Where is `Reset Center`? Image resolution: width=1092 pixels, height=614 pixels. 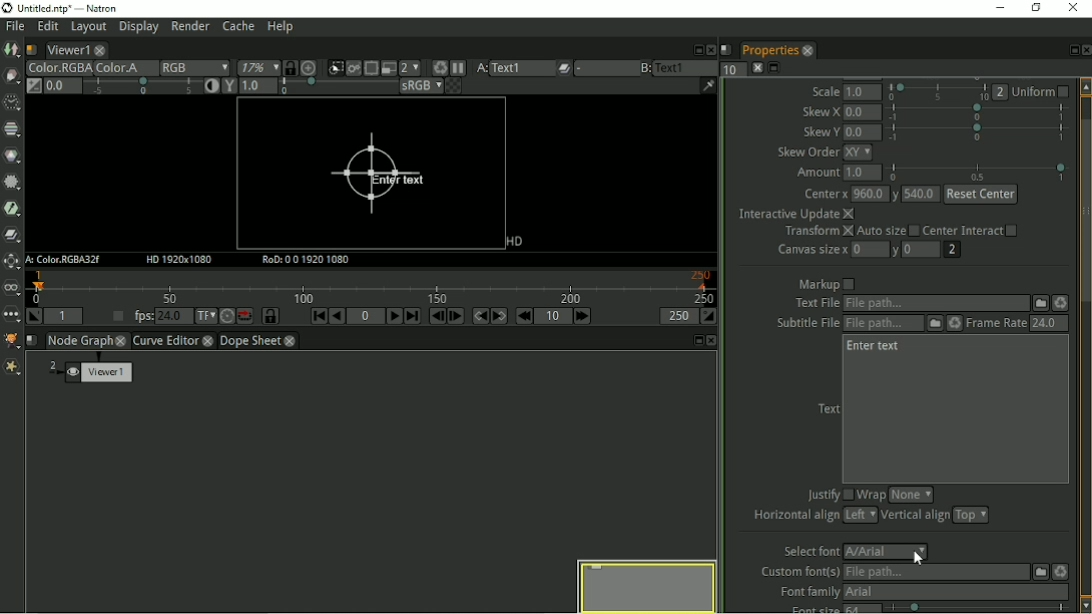 Reset Center is located at coordinates (981, 194).